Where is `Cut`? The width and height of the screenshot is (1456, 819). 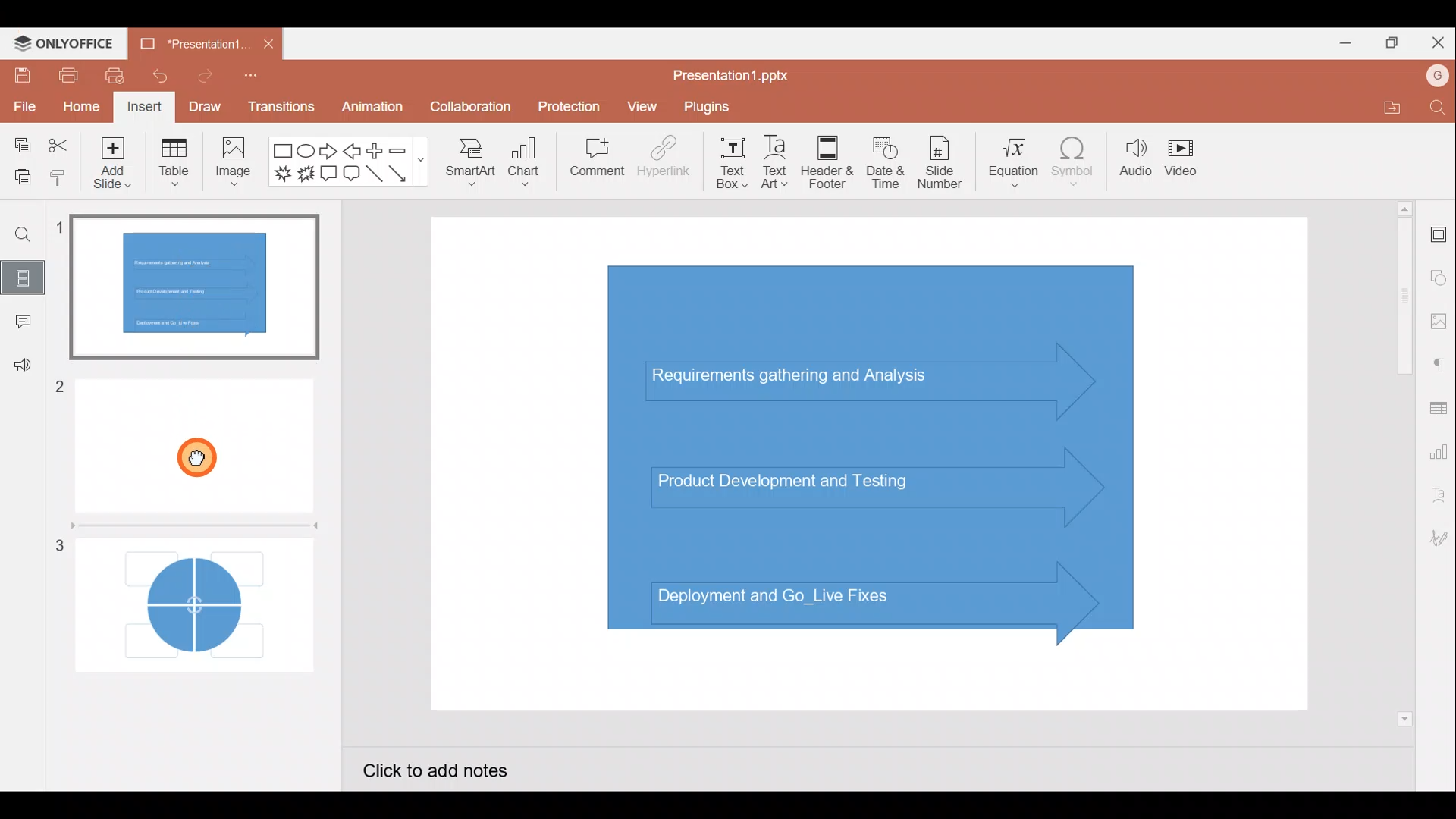
Cut is located at coordinates (58, 142).